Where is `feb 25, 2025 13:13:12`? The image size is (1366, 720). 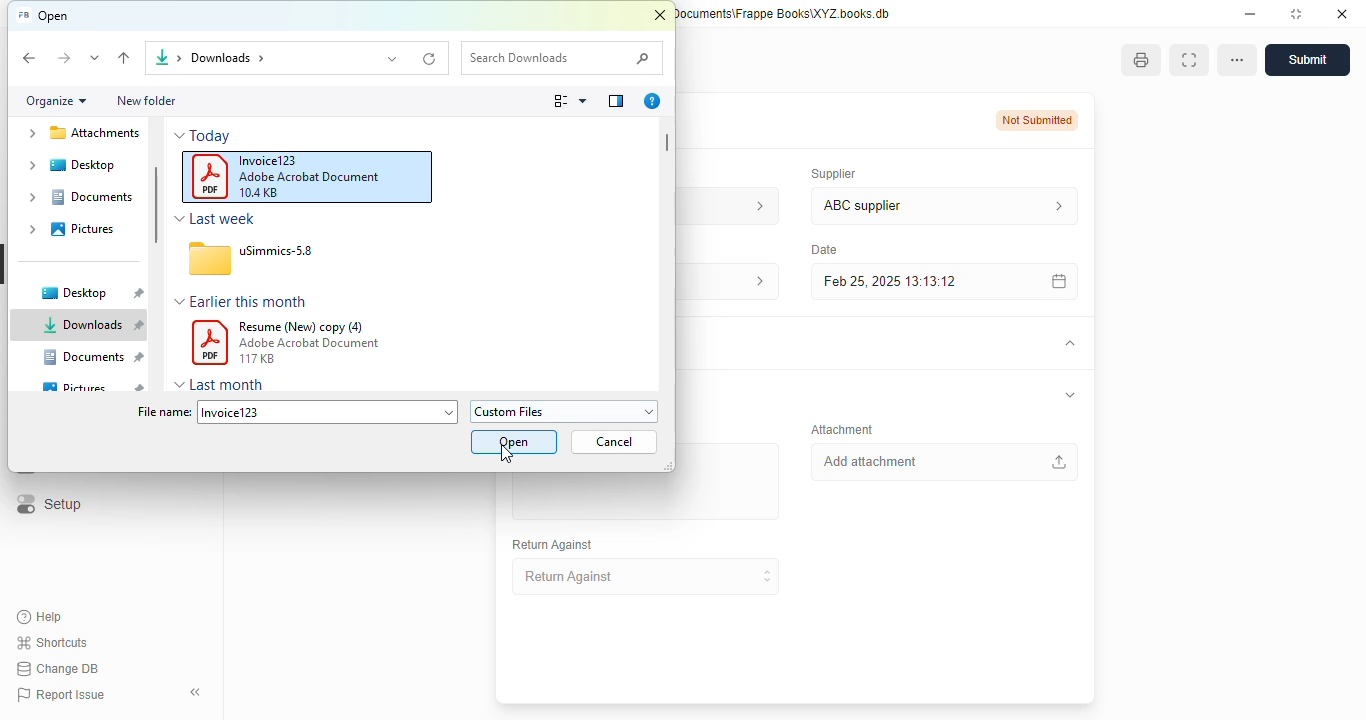
feb 25, 2025 13:13:12 is located at coordinates (905, 281).